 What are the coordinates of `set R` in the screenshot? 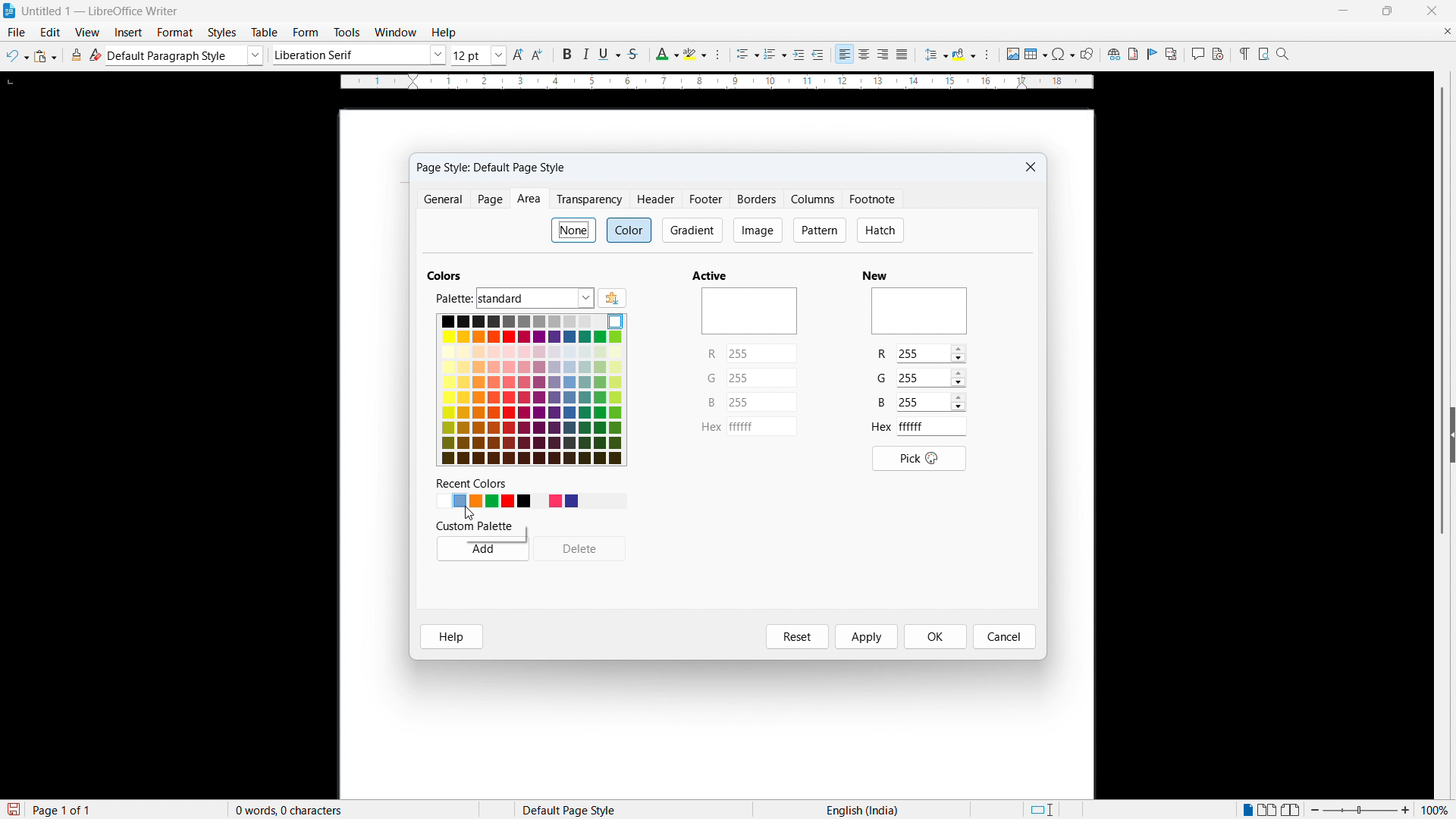 It's located at (761, 353).